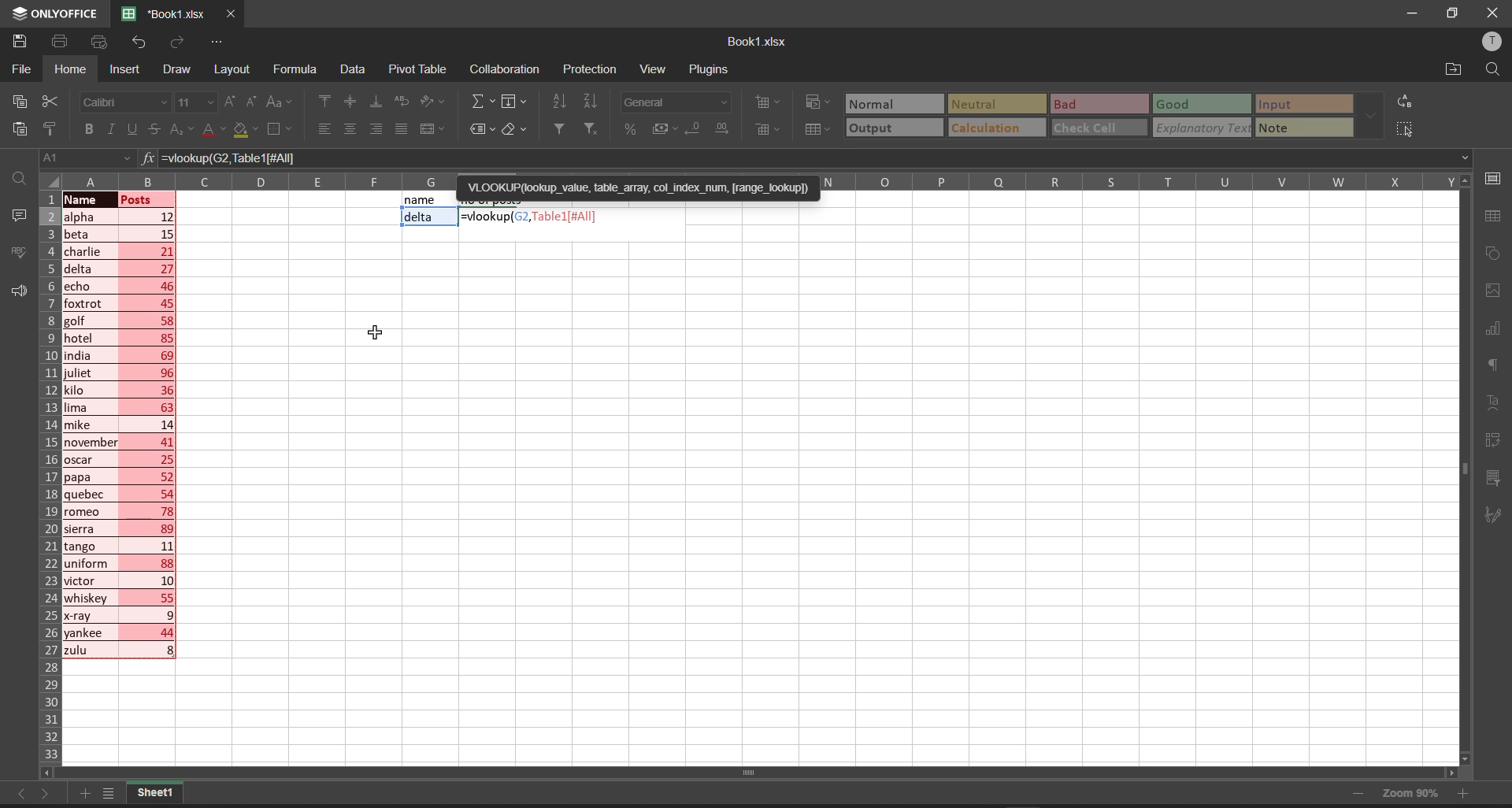 Image resolution: width=1512 pixels, height=808 pixels. What do you see at coordinates (1494, 176) in the screenshot?
I see `cell settings` at bounding box center [1494, 176].